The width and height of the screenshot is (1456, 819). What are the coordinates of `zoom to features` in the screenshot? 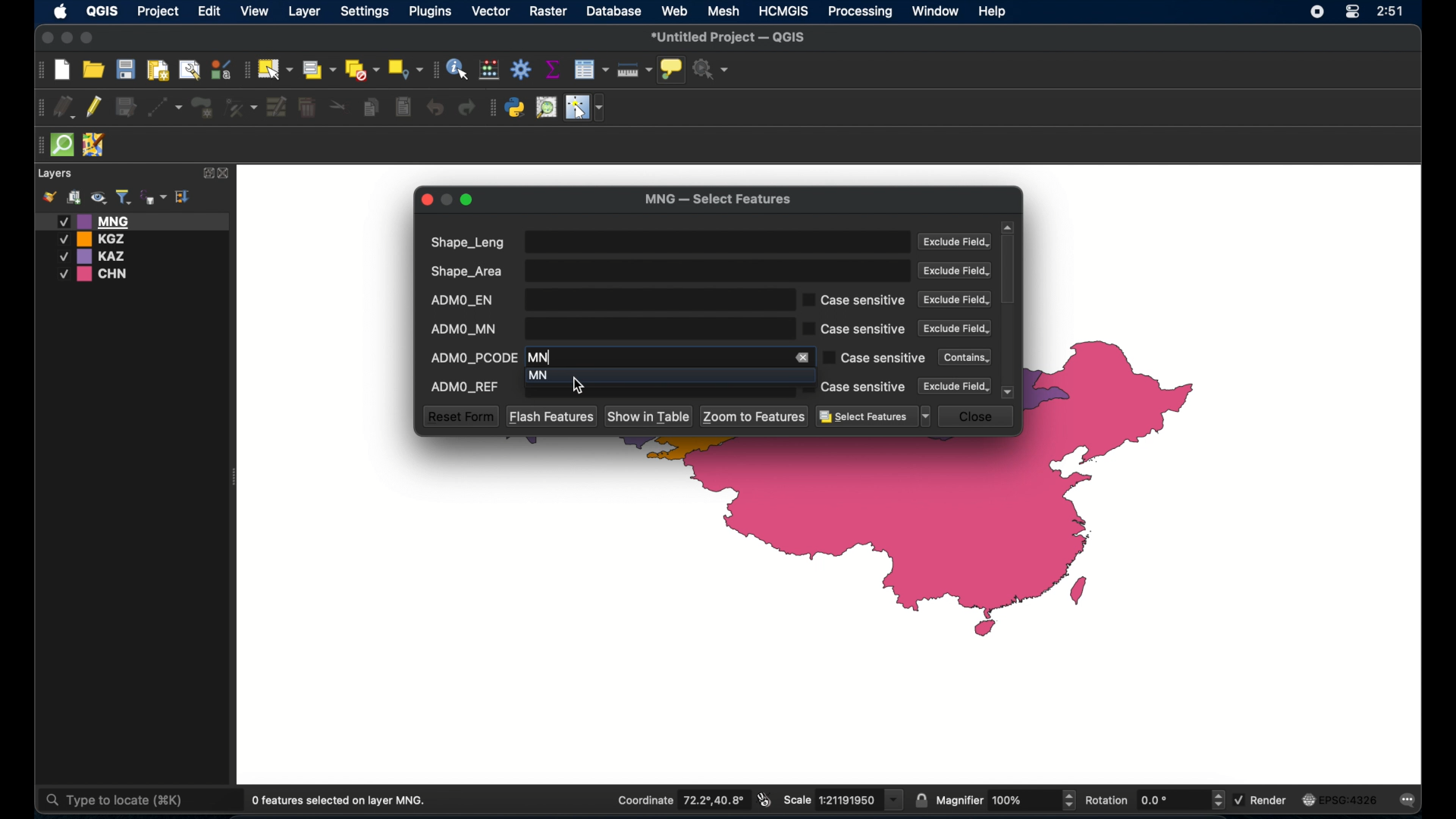 It's located at (755, 416).